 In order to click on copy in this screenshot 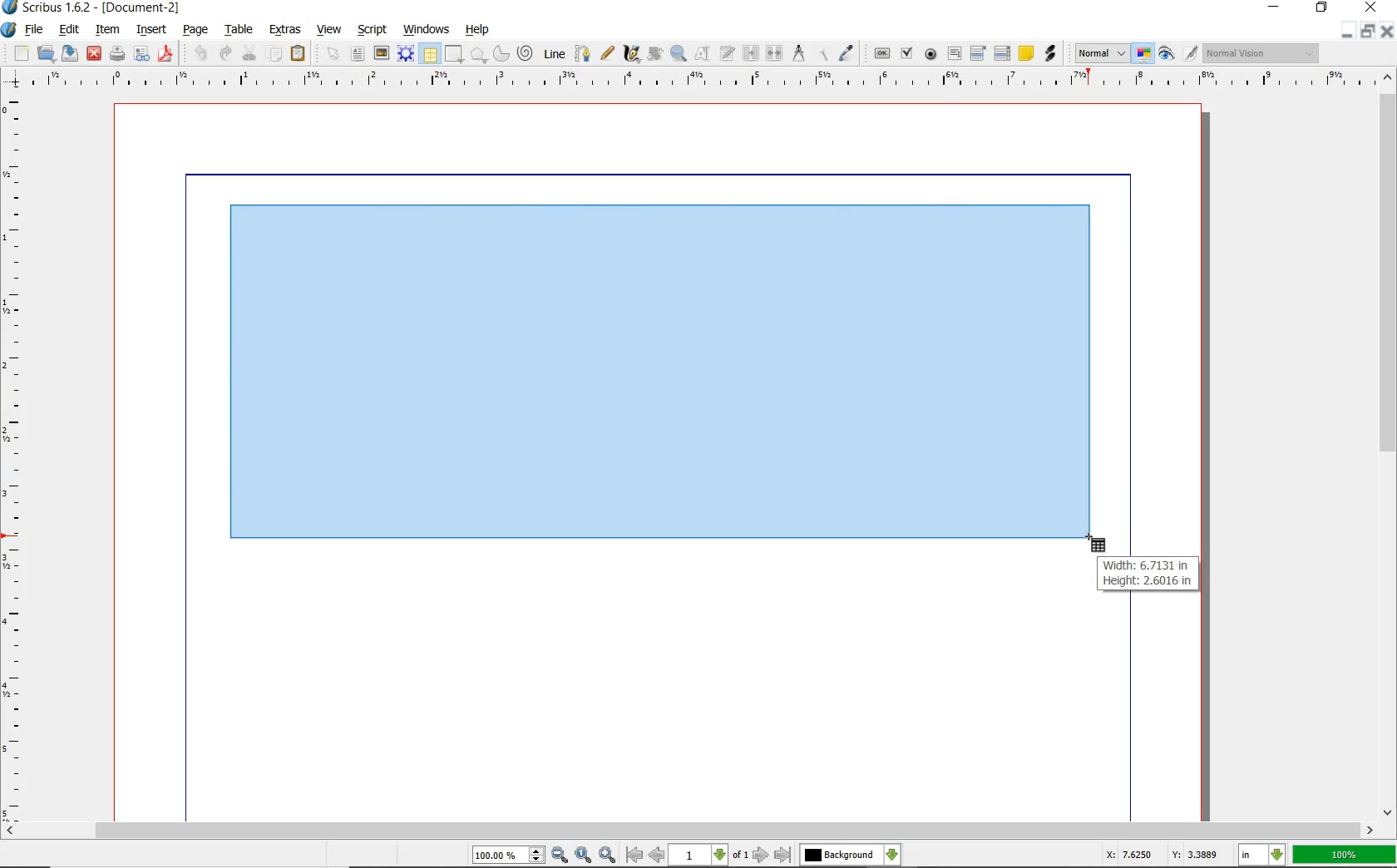, I will do `click(275, 55)`.